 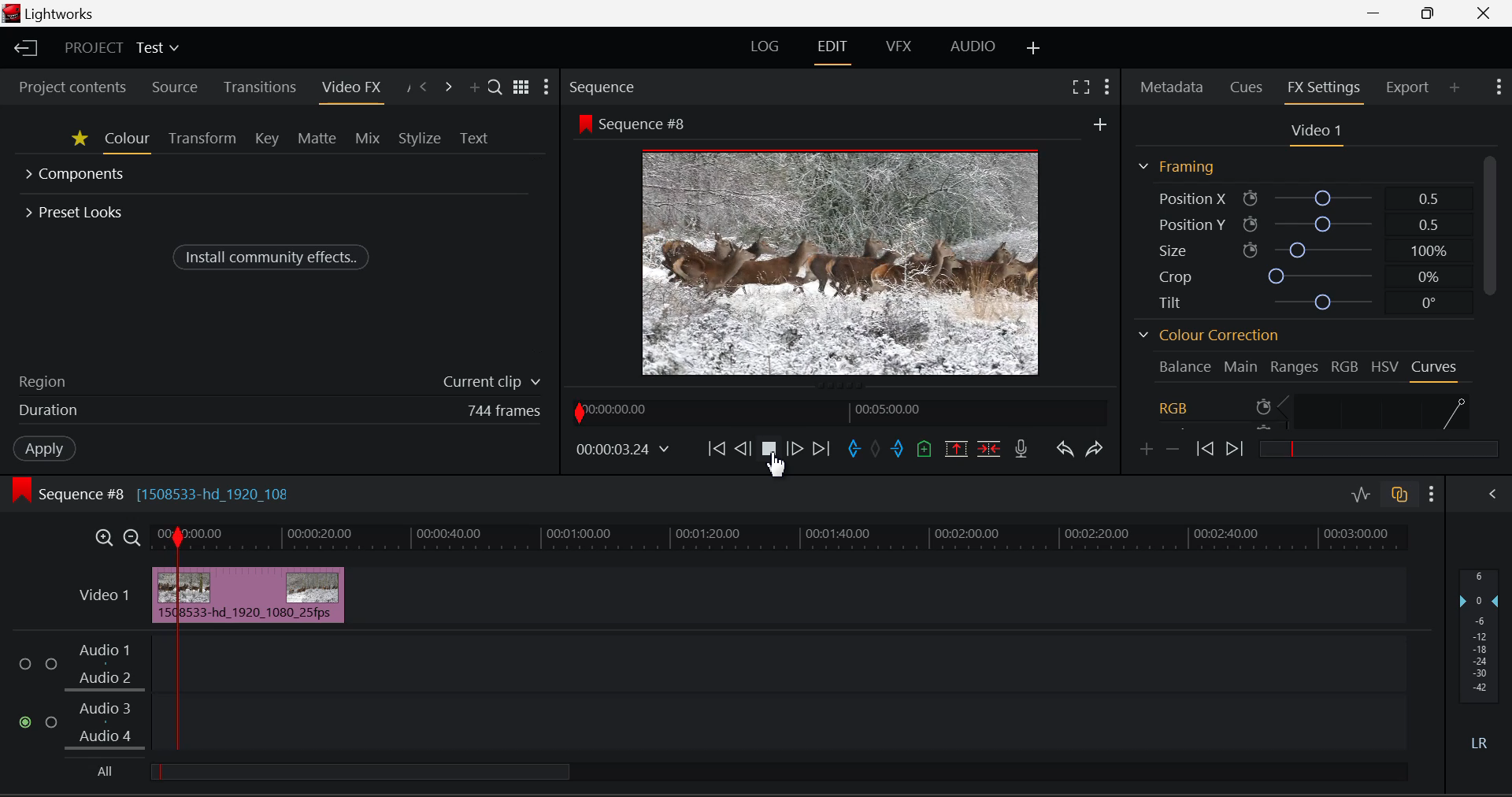 I want to click on Go Forward, so click(x=797, y=447).